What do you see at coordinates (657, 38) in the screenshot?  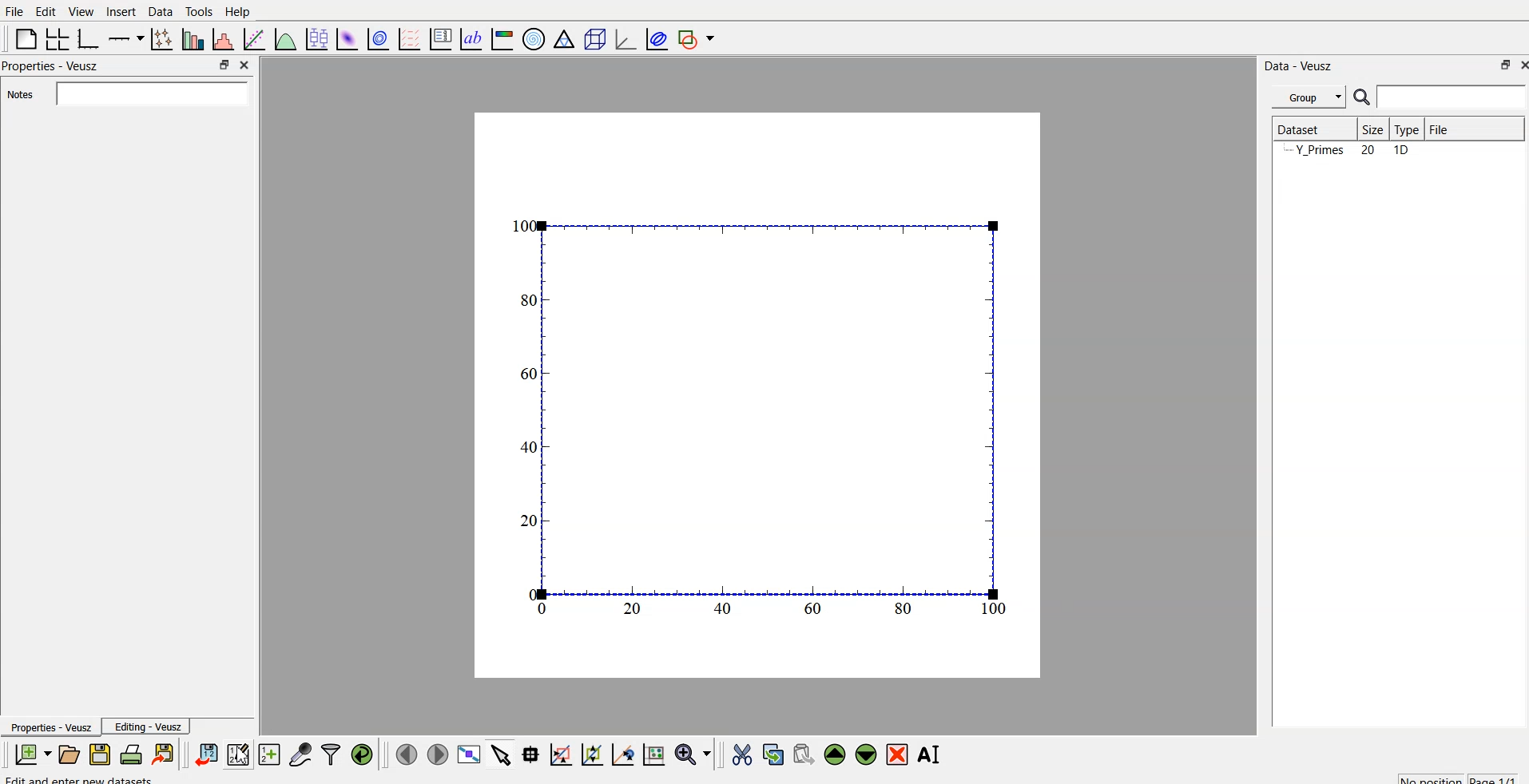 I see `plot covariance ellipses` at bounding box center [657, 38].